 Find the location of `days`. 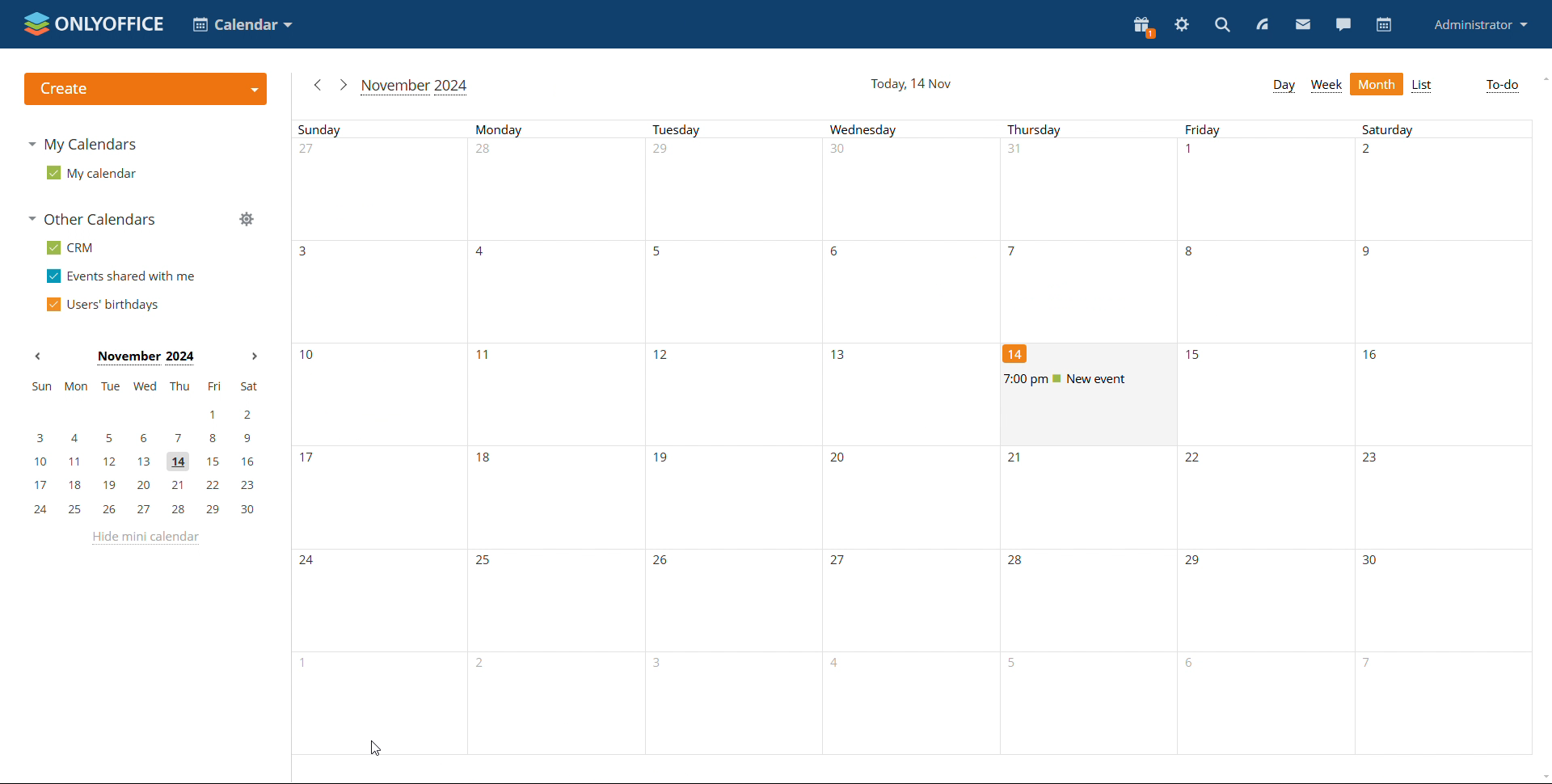

days is located at coordinates (912, 129).